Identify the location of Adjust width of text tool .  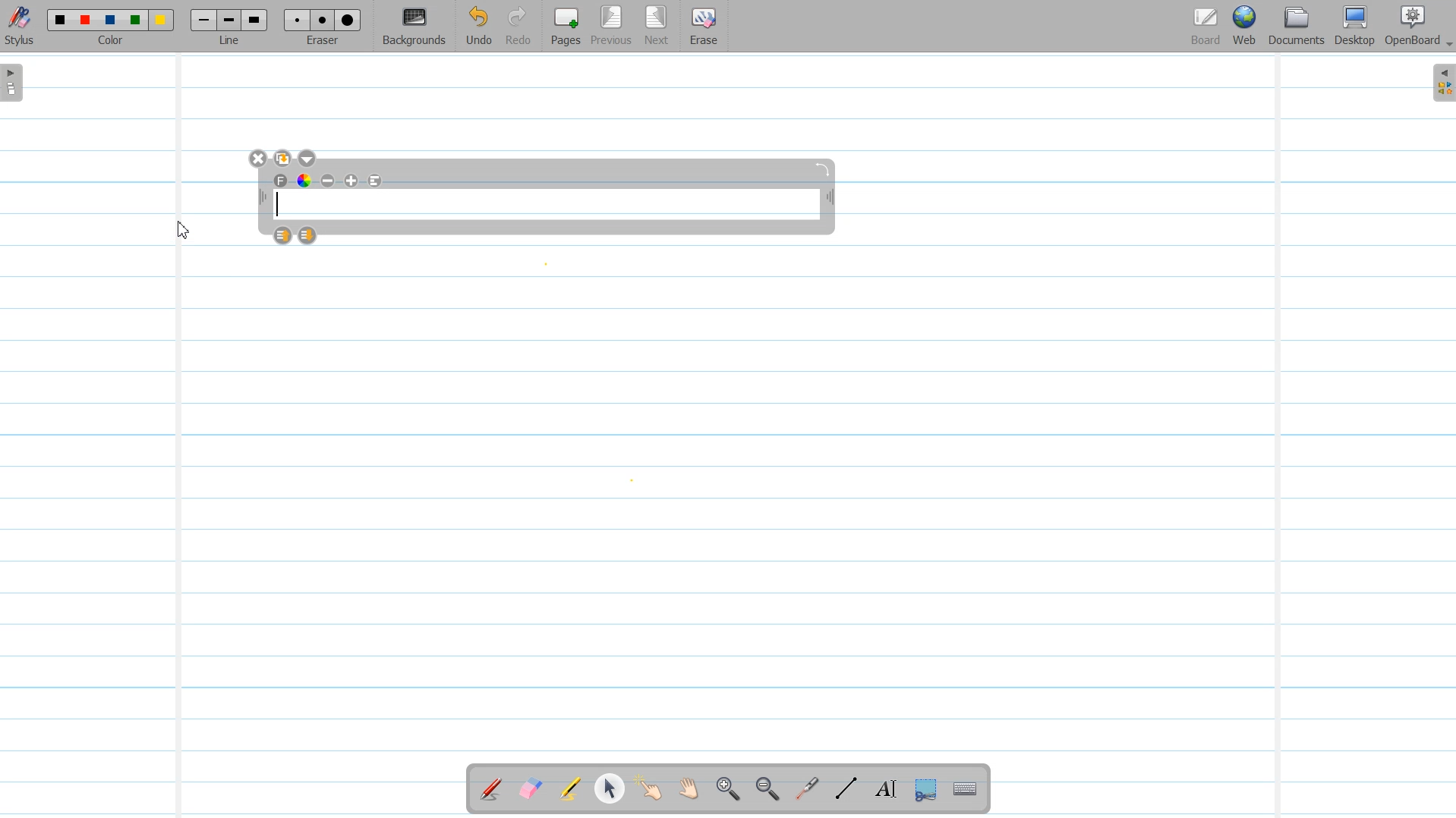
(261, 197).